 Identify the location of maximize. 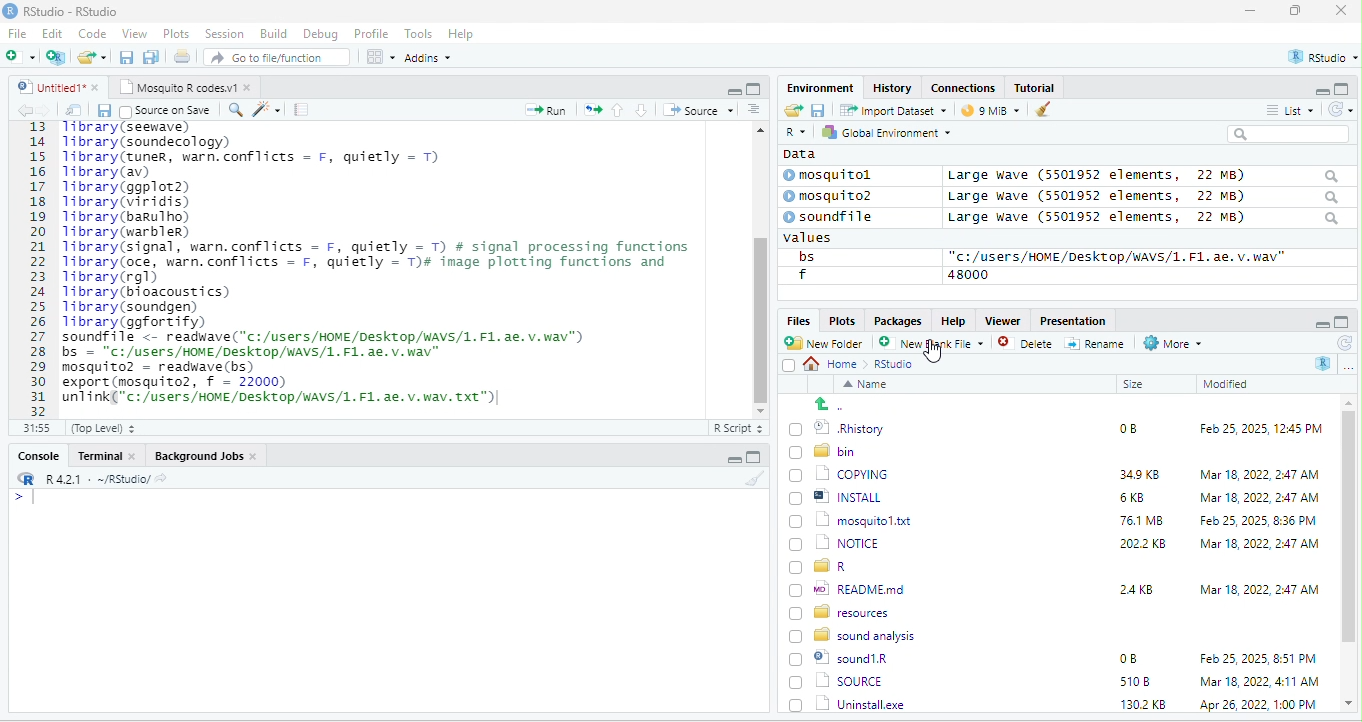
(1344, 88).